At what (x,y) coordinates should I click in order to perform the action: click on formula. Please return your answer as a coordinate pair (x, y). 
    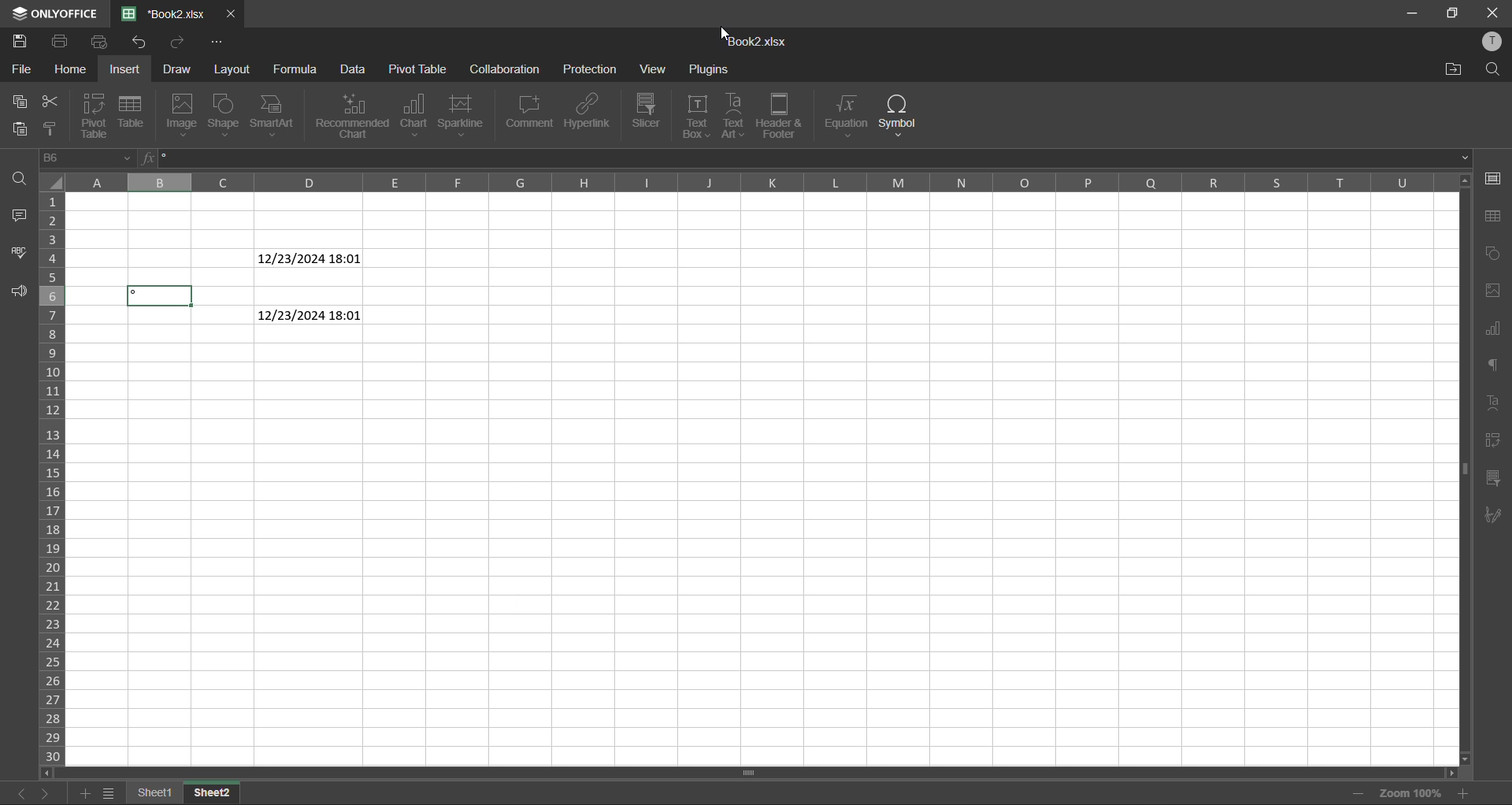
    Looking at the image, I should click on (300, 69).